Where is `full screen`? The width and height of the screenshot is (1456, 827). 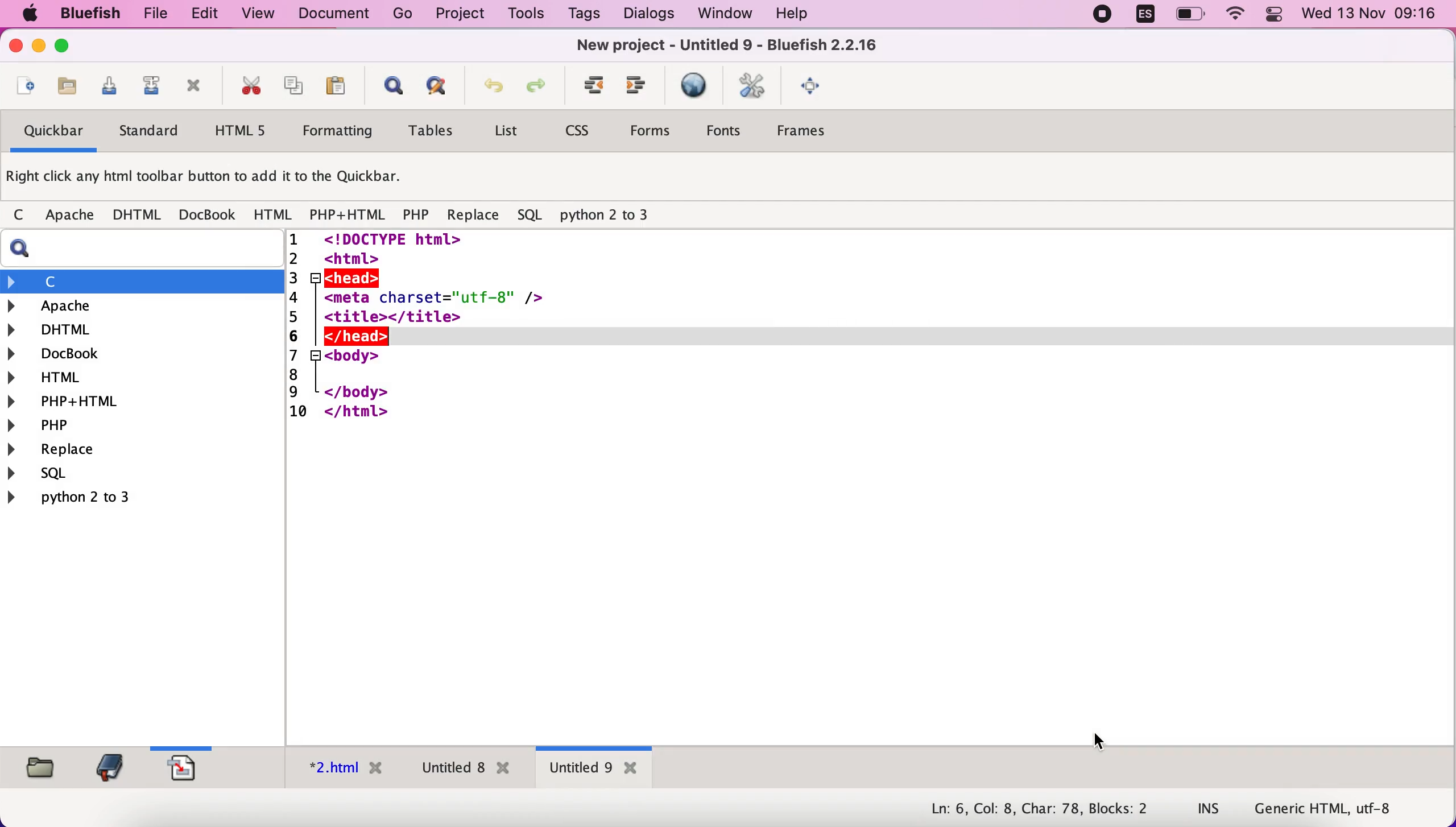 full screen is located at coordinates (813, 88).